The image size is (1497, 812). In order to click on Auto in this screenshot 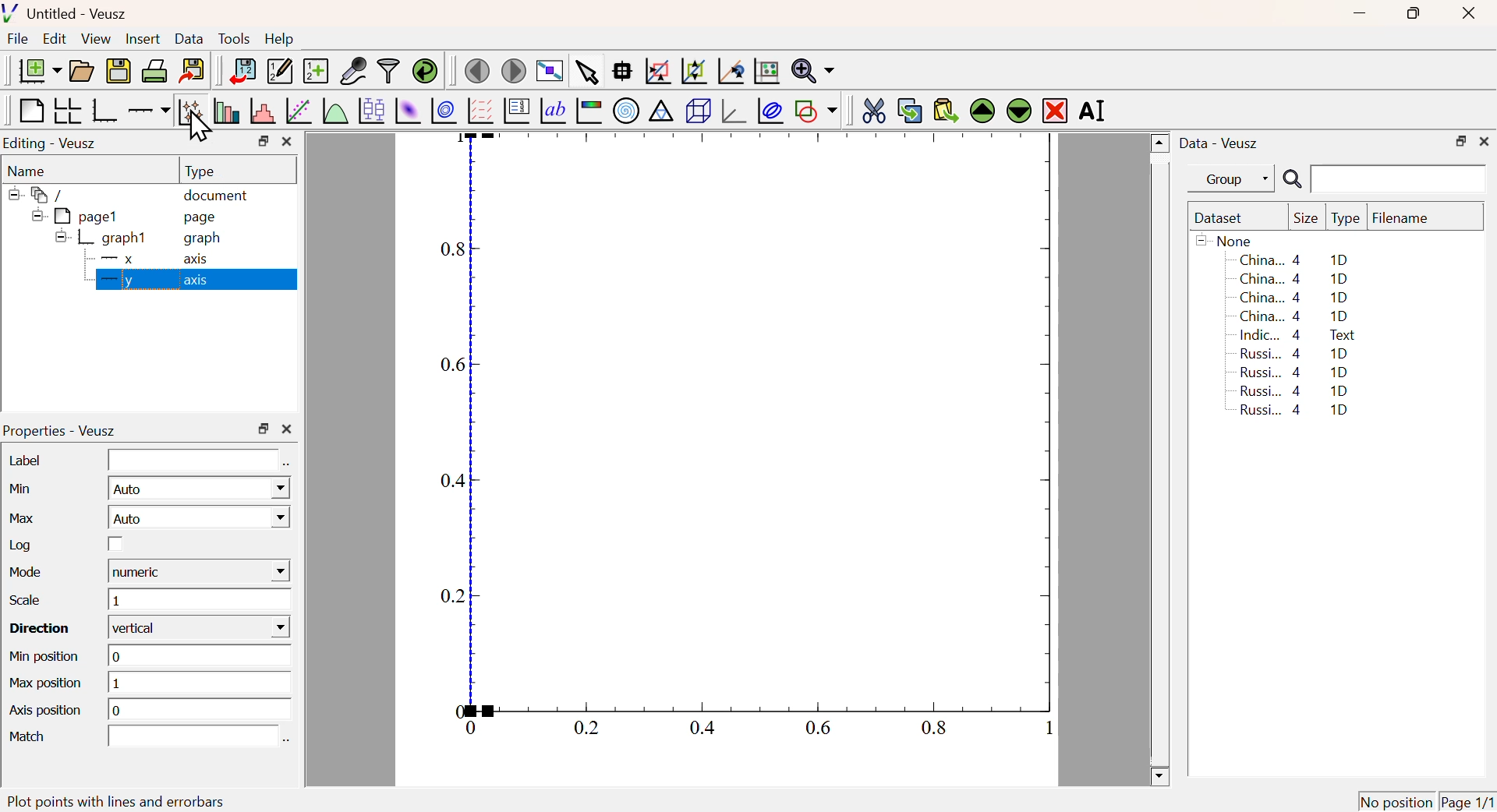, I will do `click(199, 518)`.